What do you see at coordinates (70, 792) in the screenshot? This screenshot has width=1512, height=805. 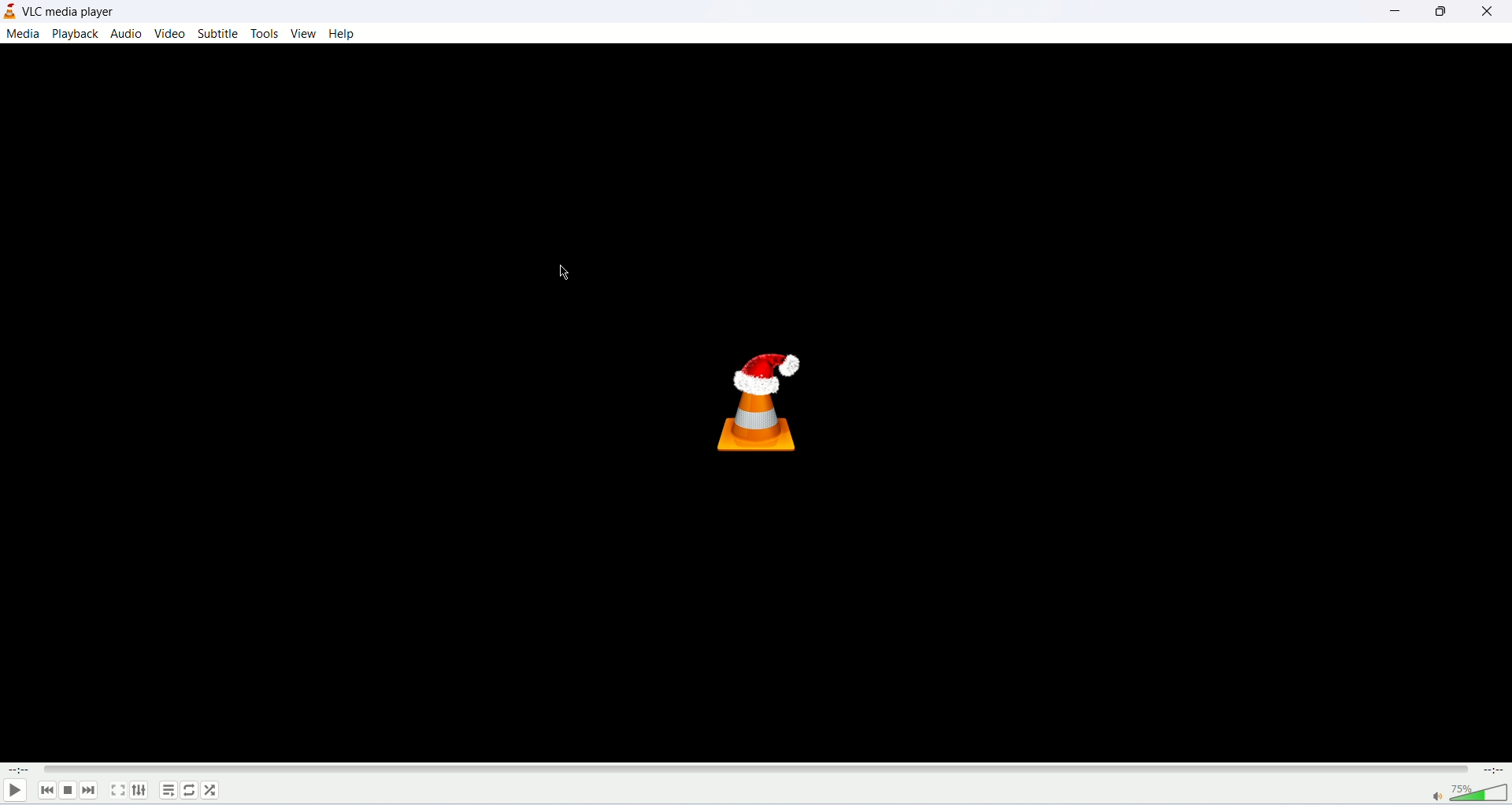 I see `stop` at bounding box center [70, 792].